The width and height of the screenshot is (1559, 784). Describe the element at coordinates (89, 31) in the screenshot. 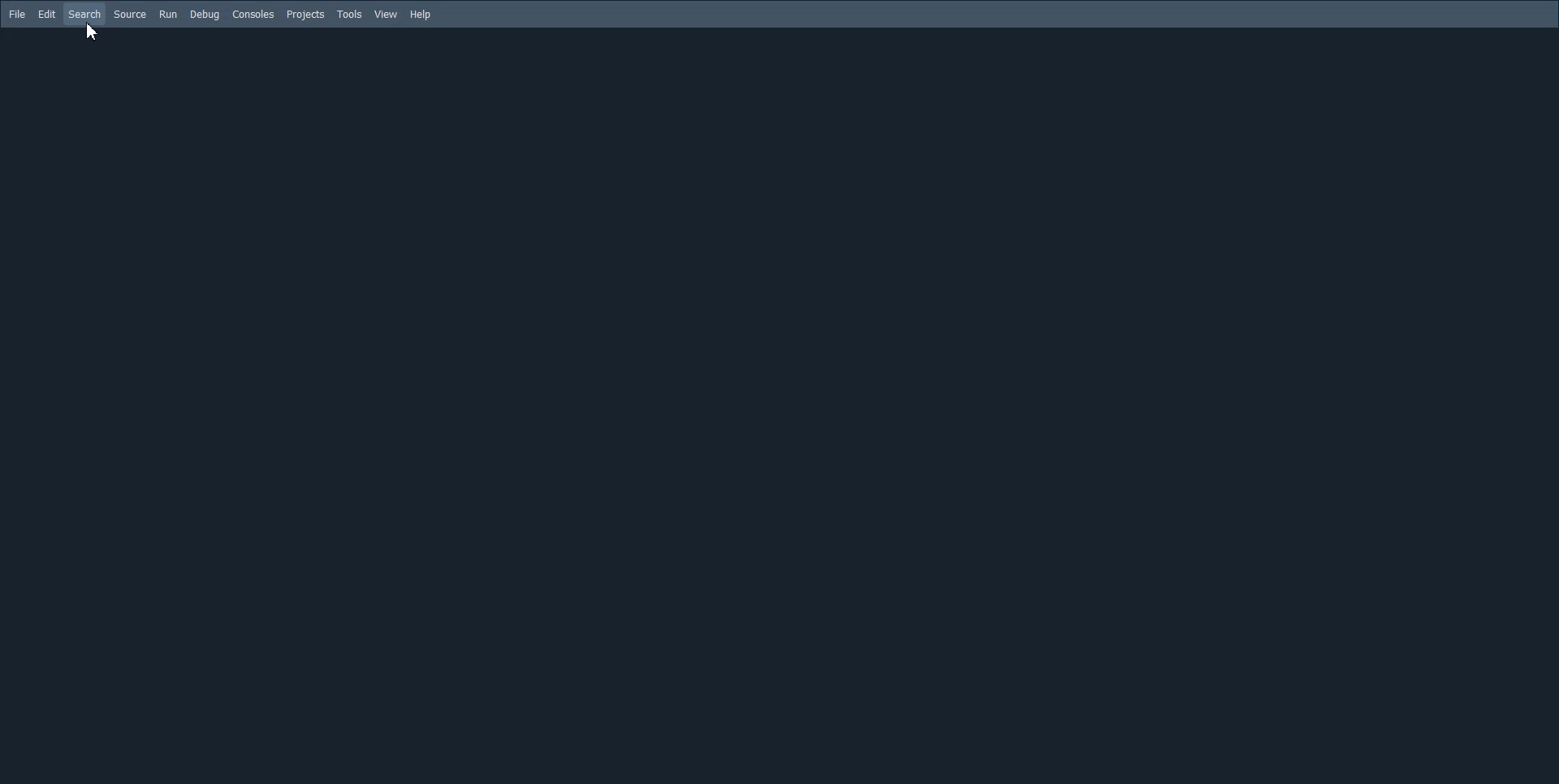

I see `Cursor on Search` at that location.